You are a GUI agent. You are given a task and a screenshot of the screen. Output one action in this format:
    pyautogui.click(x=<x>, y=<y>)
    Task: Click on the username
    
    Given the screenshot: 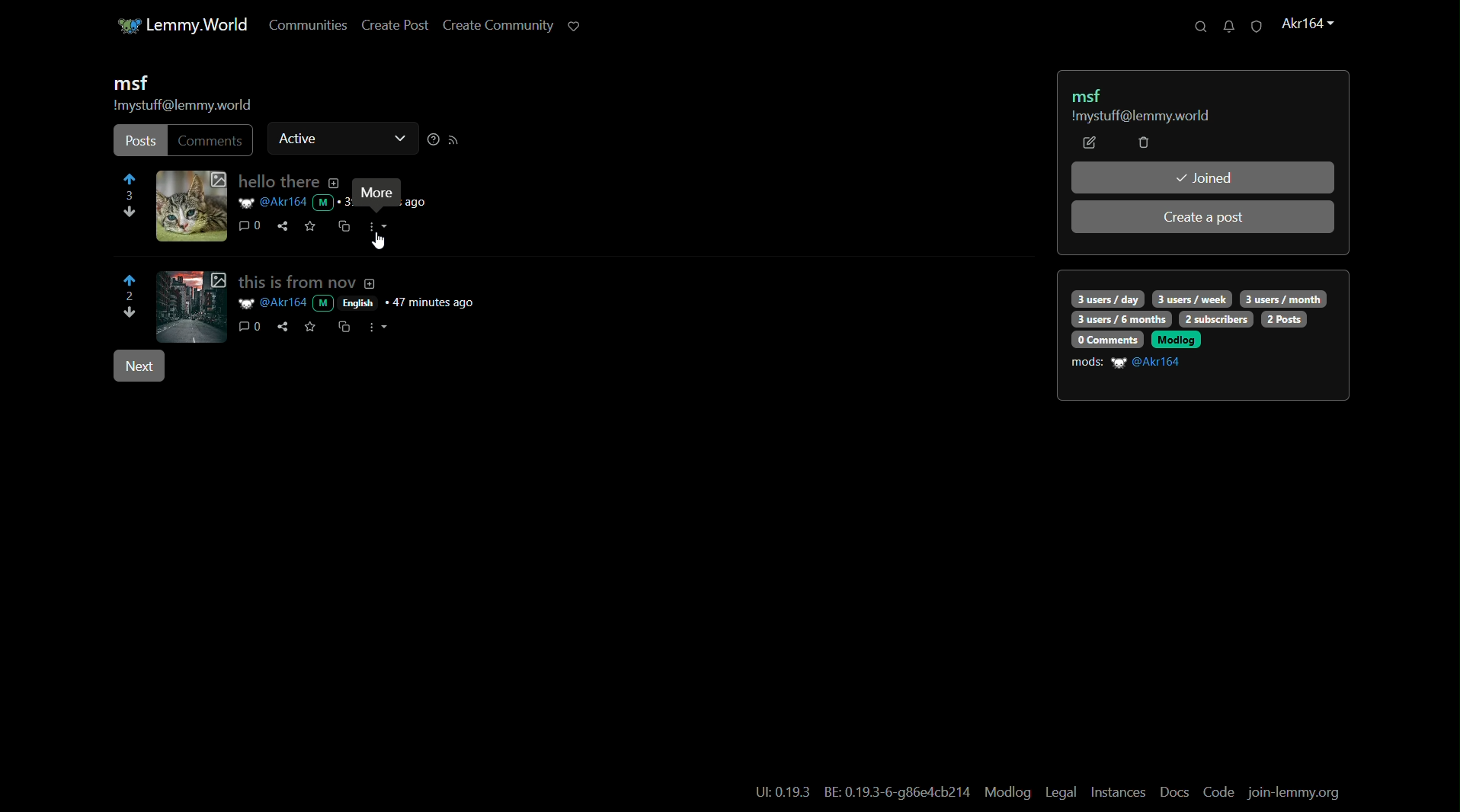 What is the action you would take?
    pyautogui.click(x=1149, y=363)
    